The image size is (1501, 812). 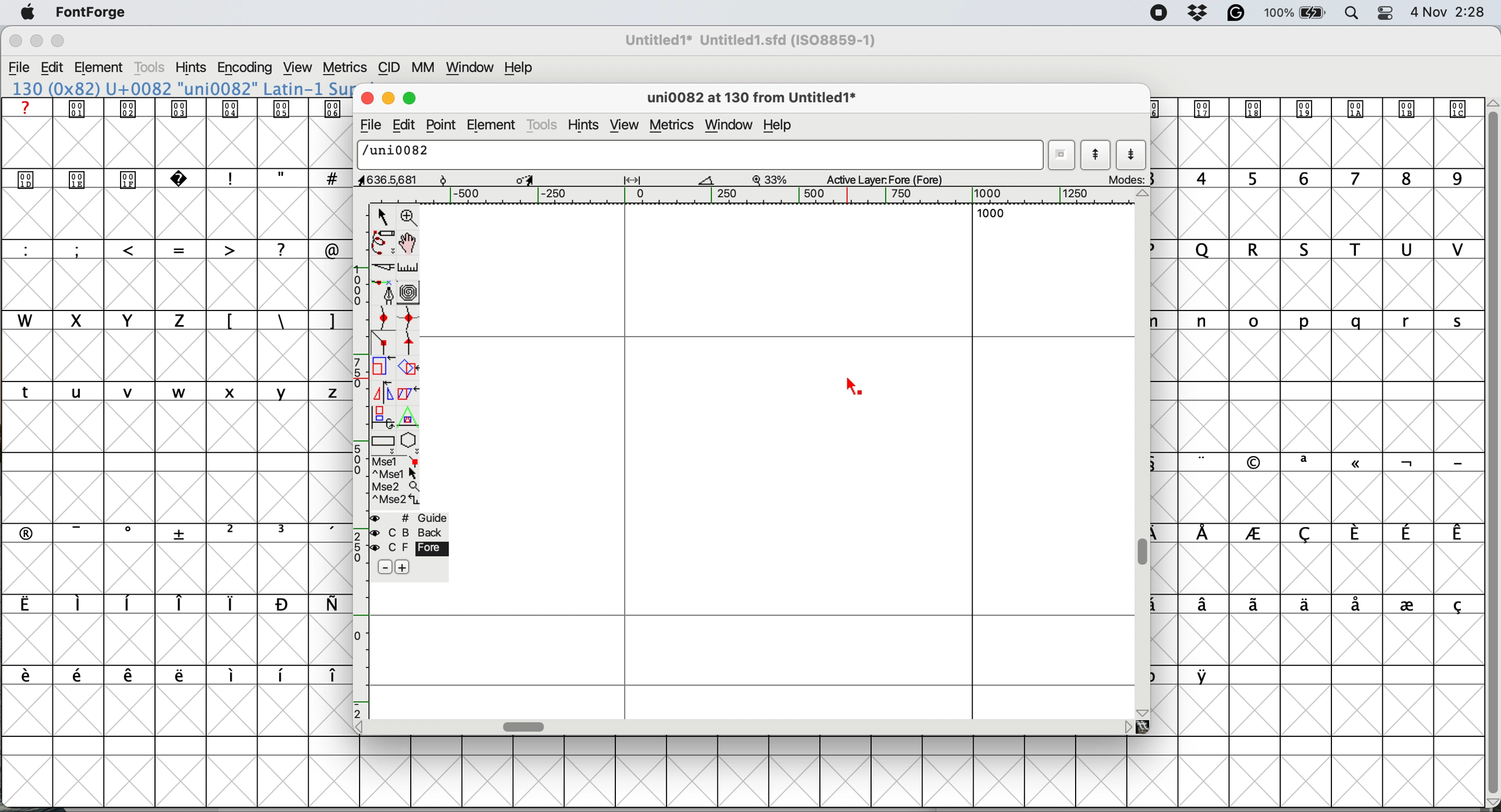 What do you see at coordinates (1200, 12) in the screenshot?
I see `dropbox` at bounding box center [1200, 12].